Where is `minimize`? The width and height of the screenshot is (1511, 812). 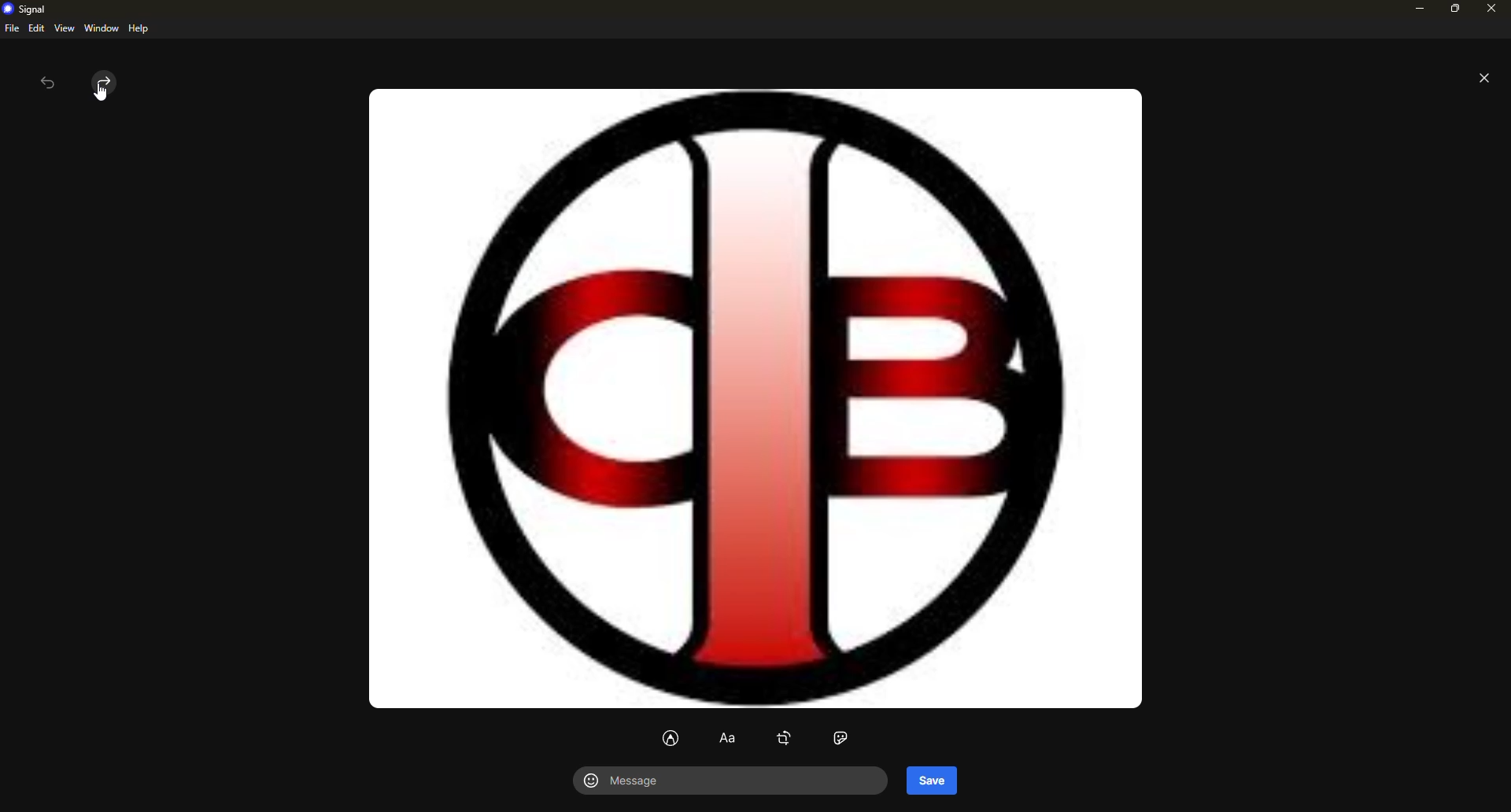 minimize is located at coordinates (1417, 9).